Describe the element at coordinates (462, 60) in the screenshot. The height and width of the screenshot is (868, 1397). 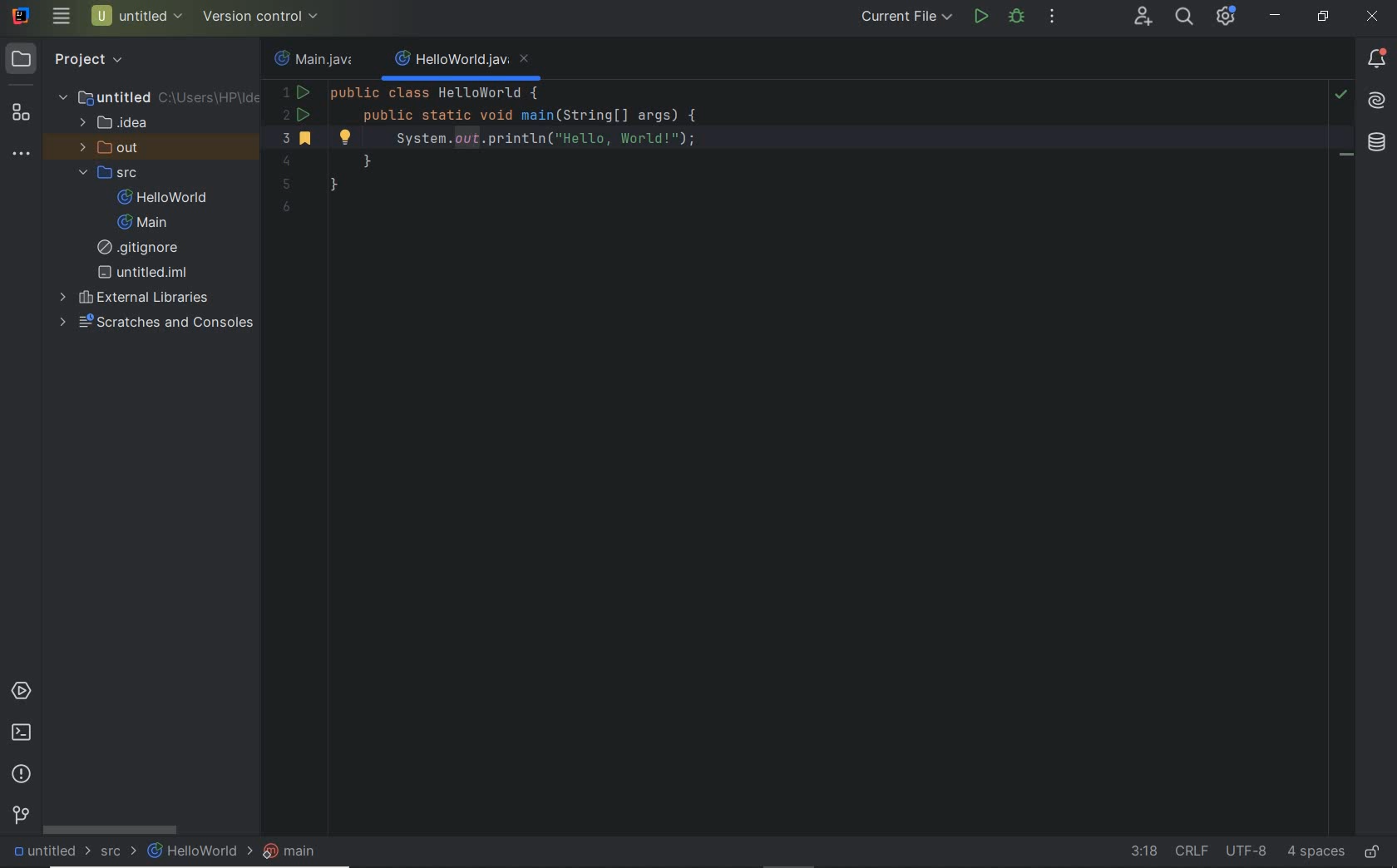
I see `HelloWorld.java(file name)` at that location.